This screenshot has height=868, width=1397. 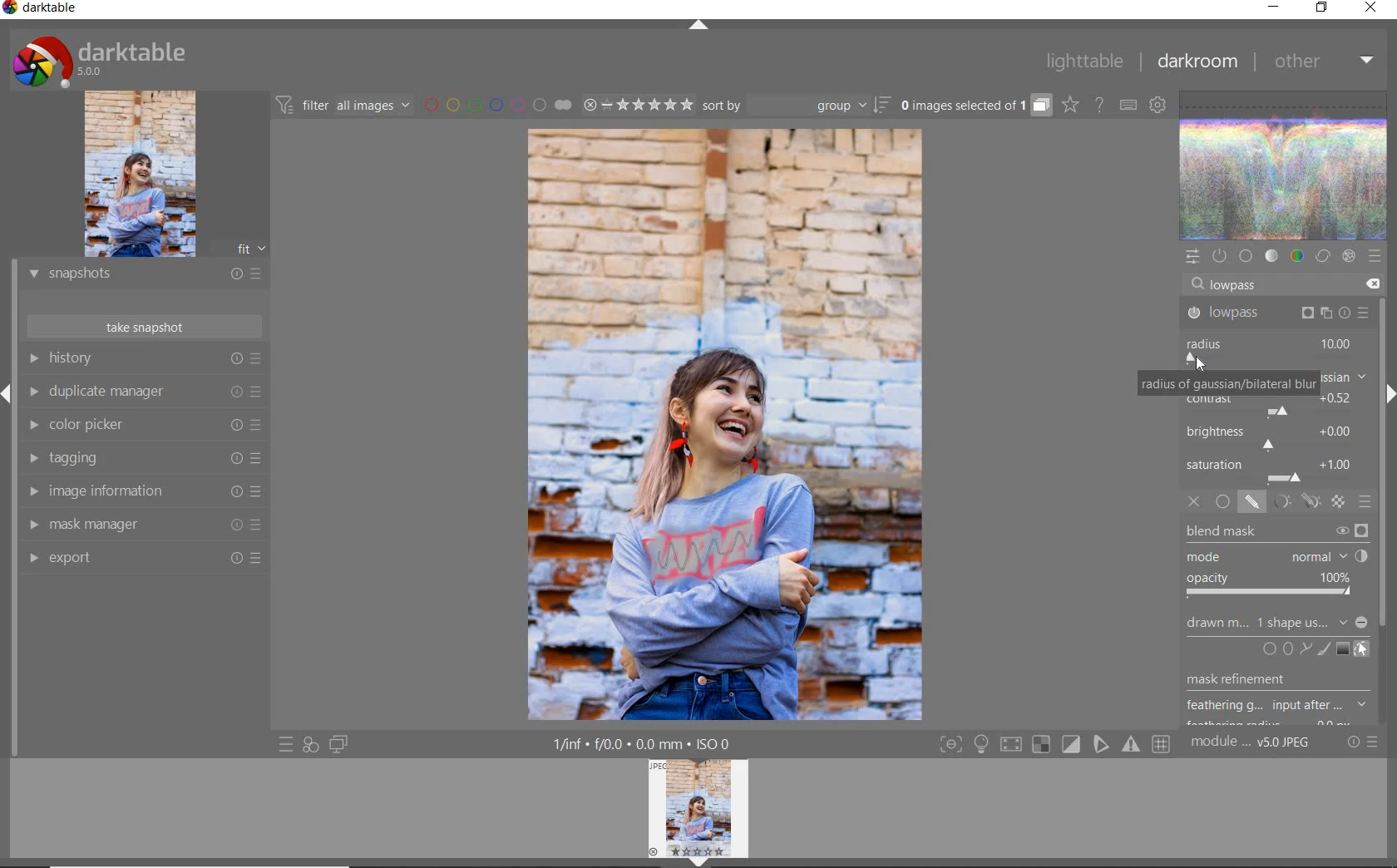 What do you see at coordinates (99, 60) in the screenshot?
I see `system logo` at bounding box center [99, 60].